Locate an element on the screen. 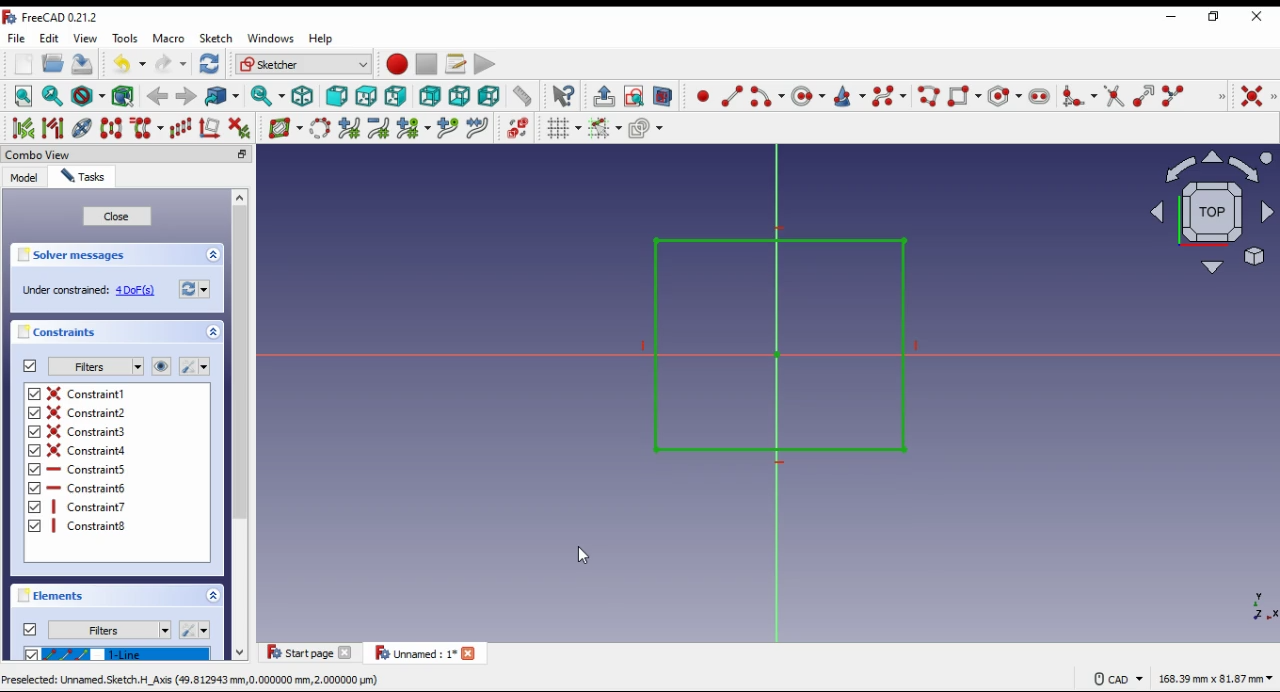  decrease bspline degree is located at coordinates (379, 128).